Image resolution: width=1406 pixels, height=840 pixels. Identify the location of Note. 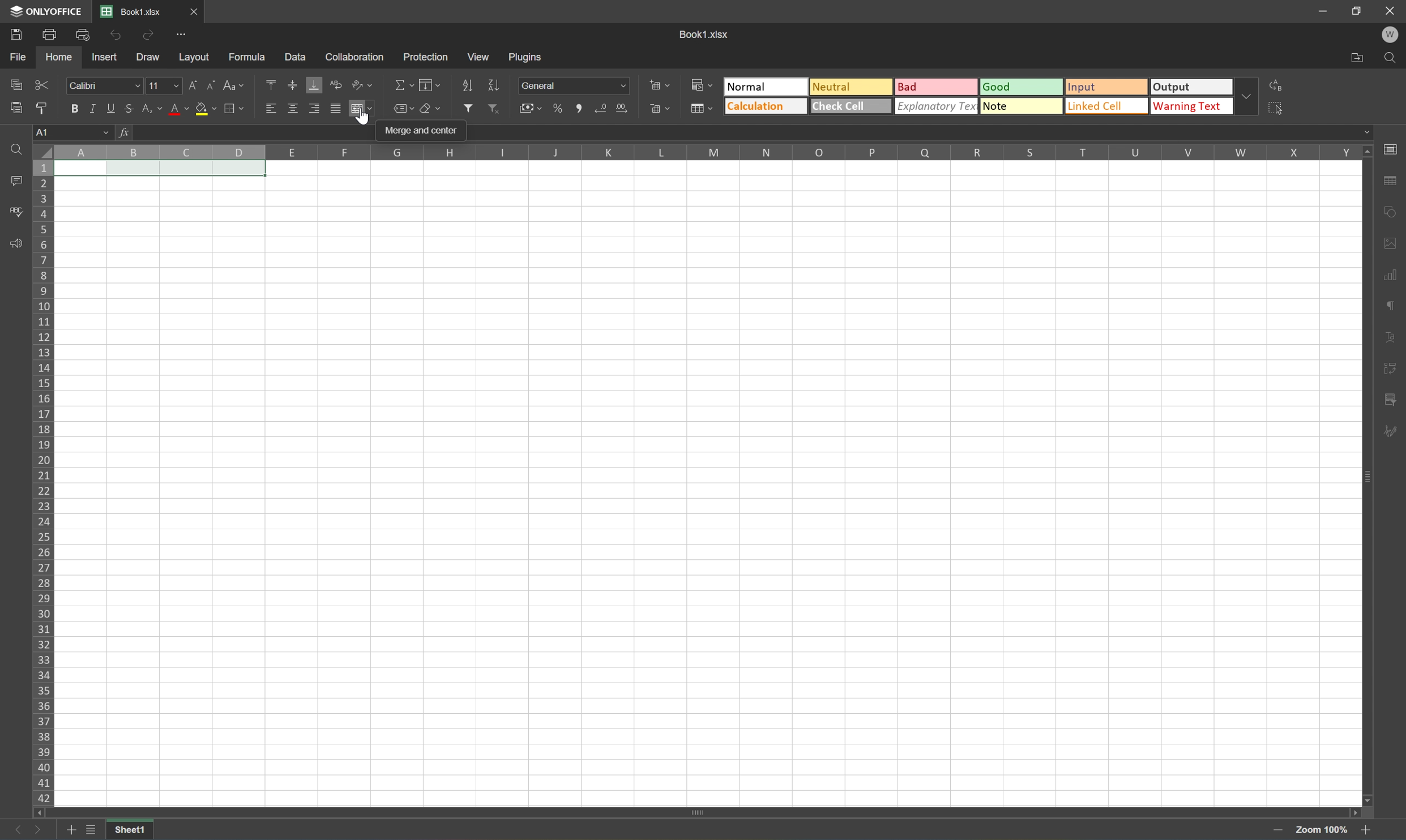
(1020, 106).